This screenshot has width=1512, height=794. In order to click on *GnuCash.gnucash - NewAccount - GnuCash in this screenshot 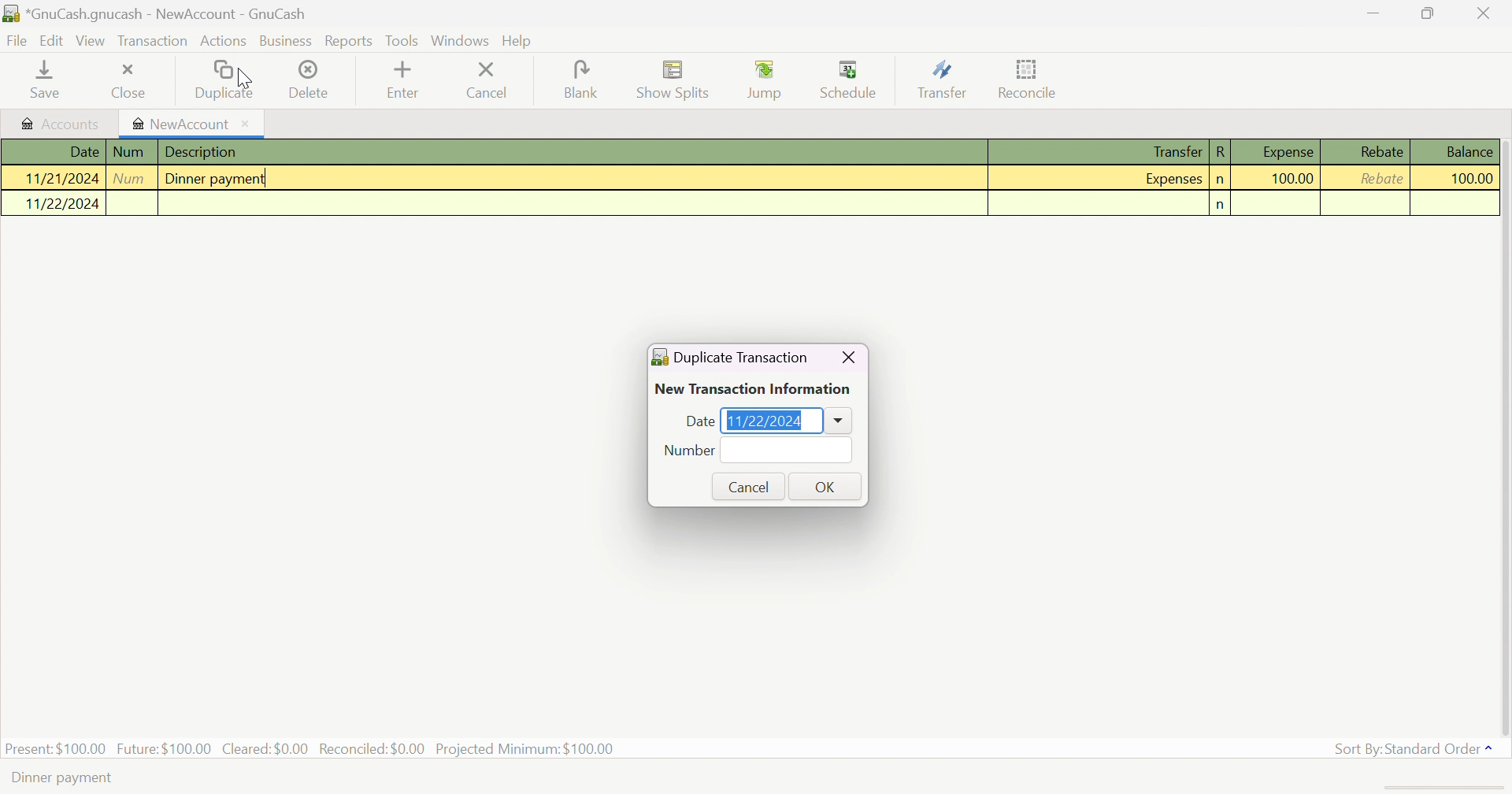, I will do `click(169, 14)`.